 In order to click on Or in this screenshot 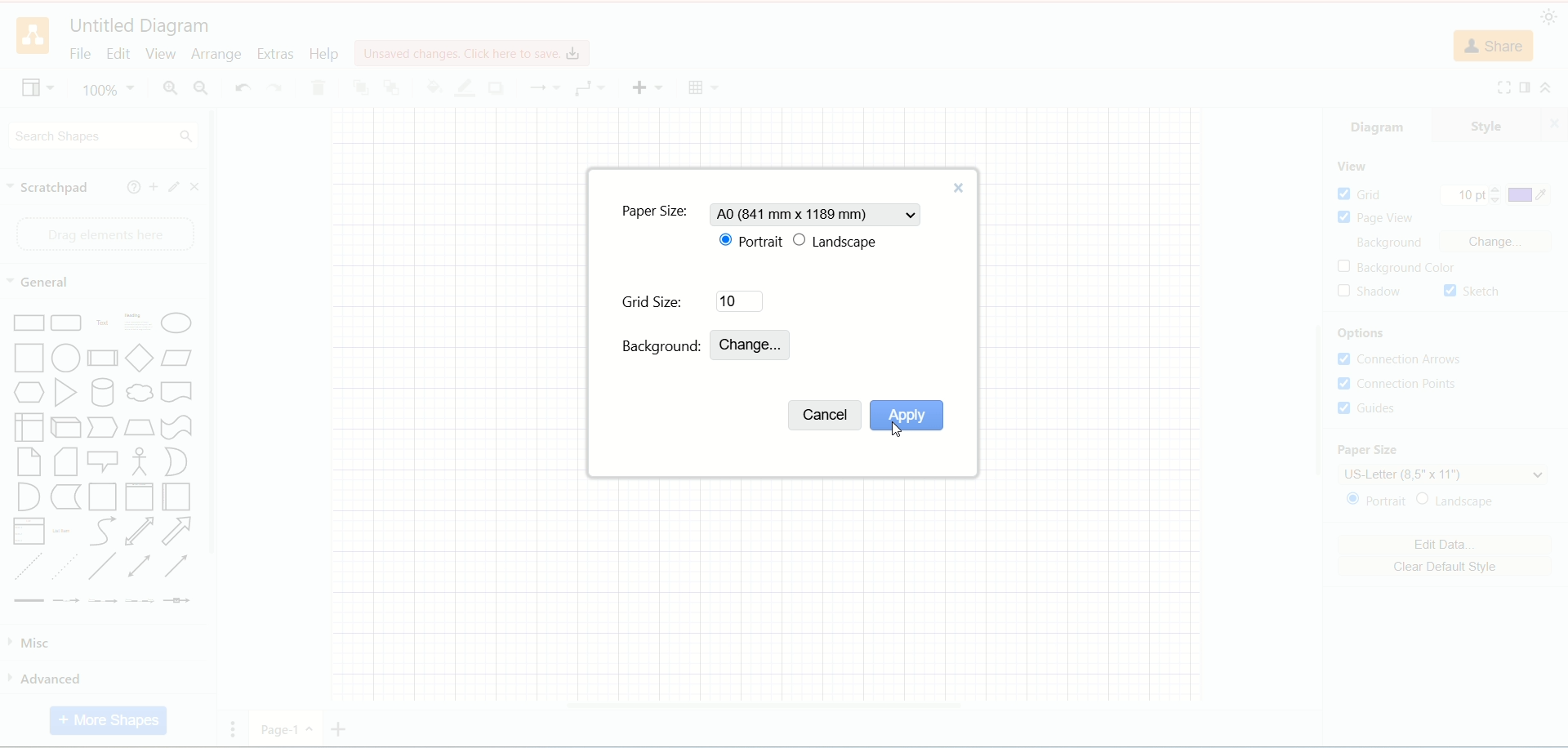, I will do `click(180, 461)`.